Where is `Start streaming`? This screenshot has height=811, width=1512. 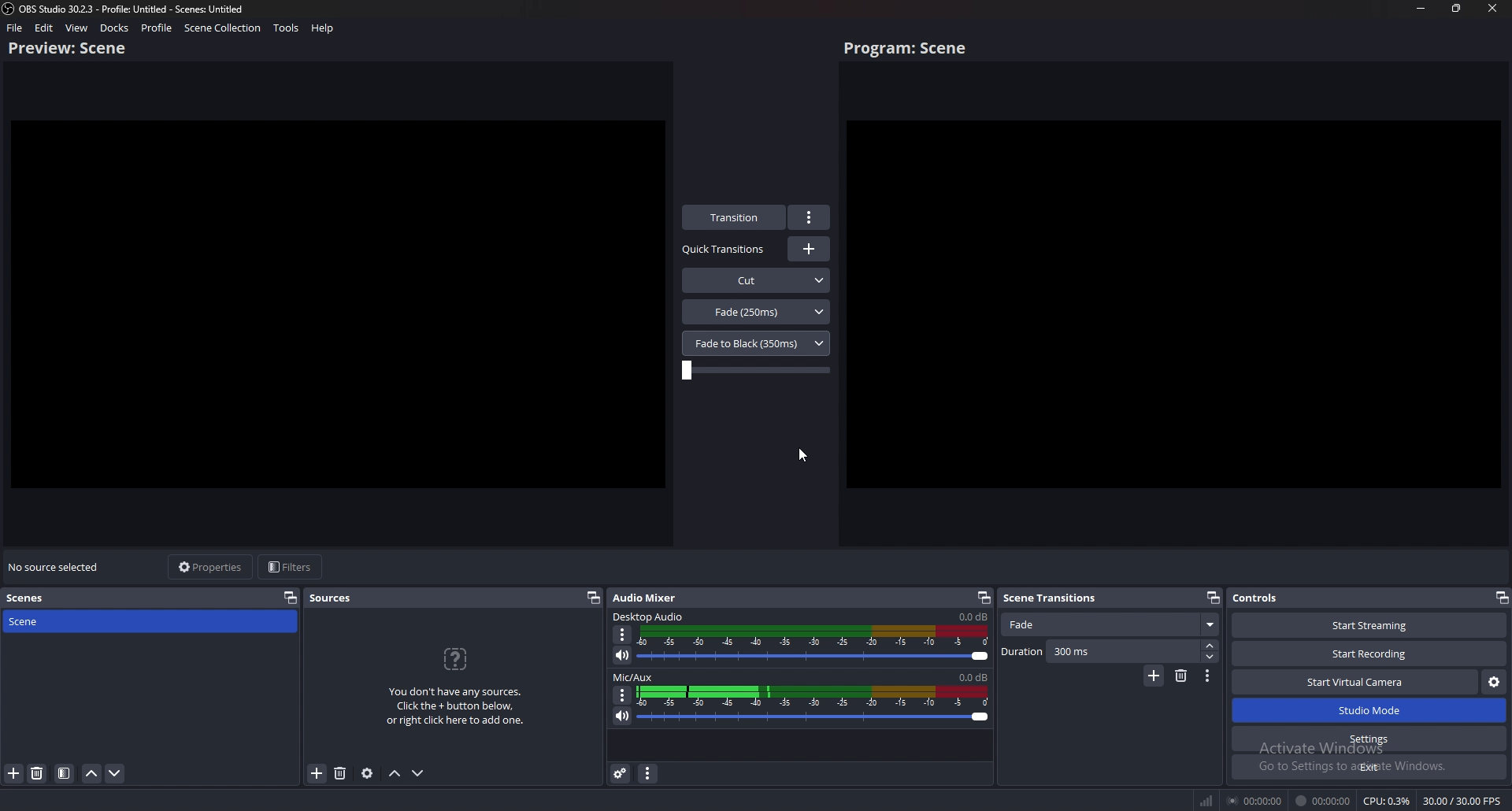 Start streaming is located at coordinates (1366, 624).